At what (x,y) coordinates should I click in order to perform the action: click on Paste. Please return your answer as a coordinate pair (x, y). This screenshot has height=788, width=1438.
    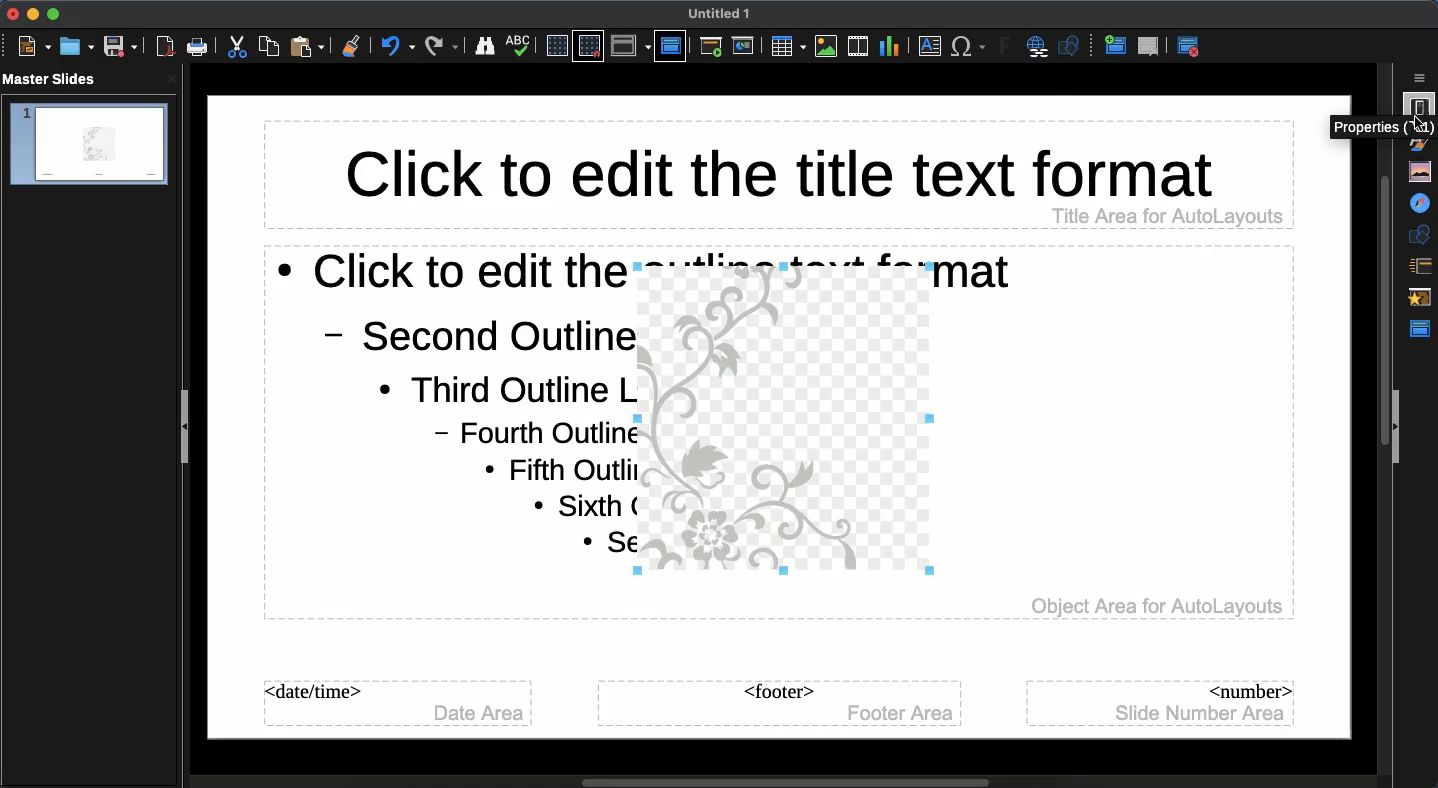
    Looking at the image, I should click on (309, 46).